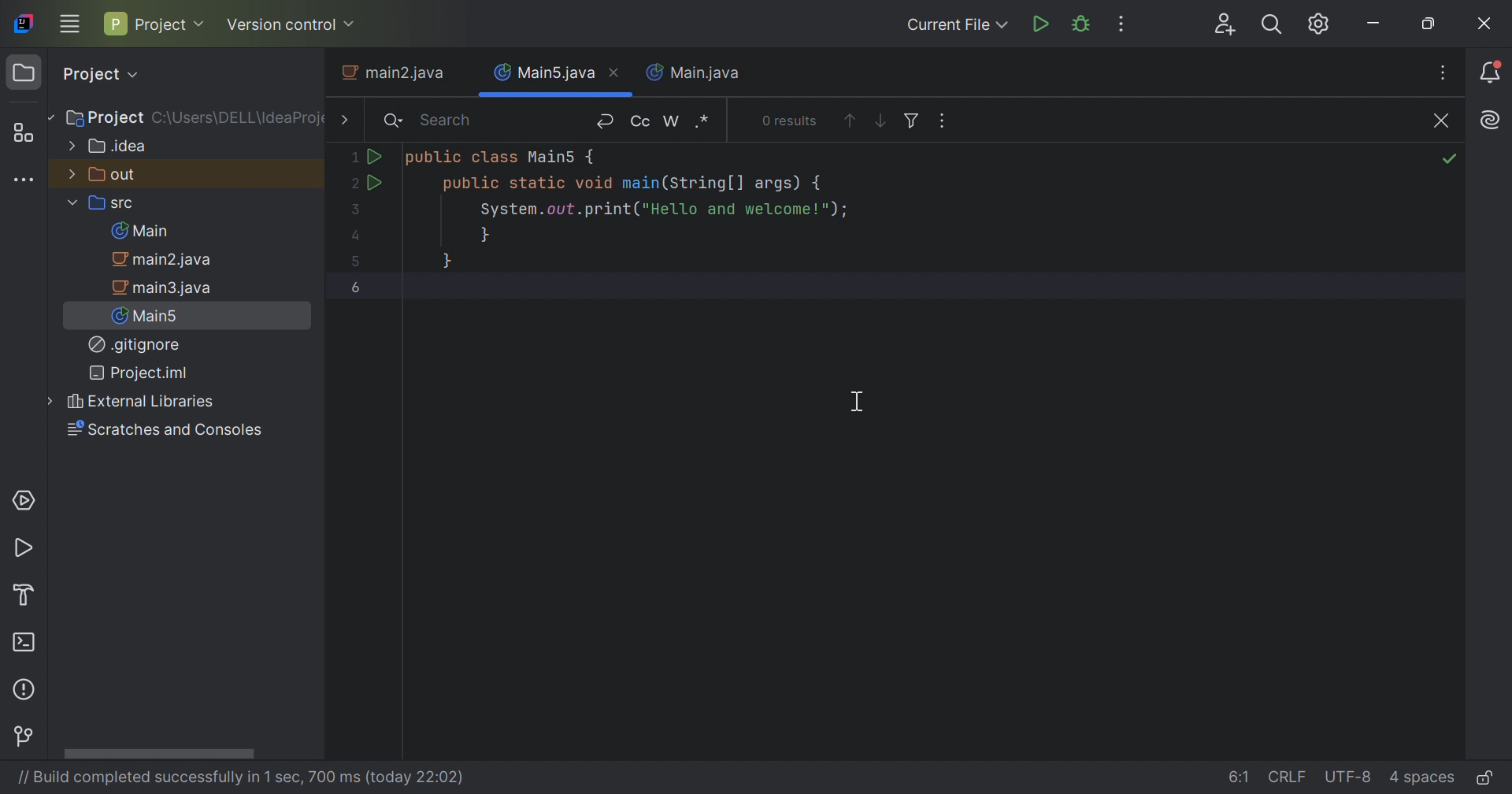  What do you see at coordinates (31, 593) in the screenshot?
I see `Build` at bounding box center [31, 593].